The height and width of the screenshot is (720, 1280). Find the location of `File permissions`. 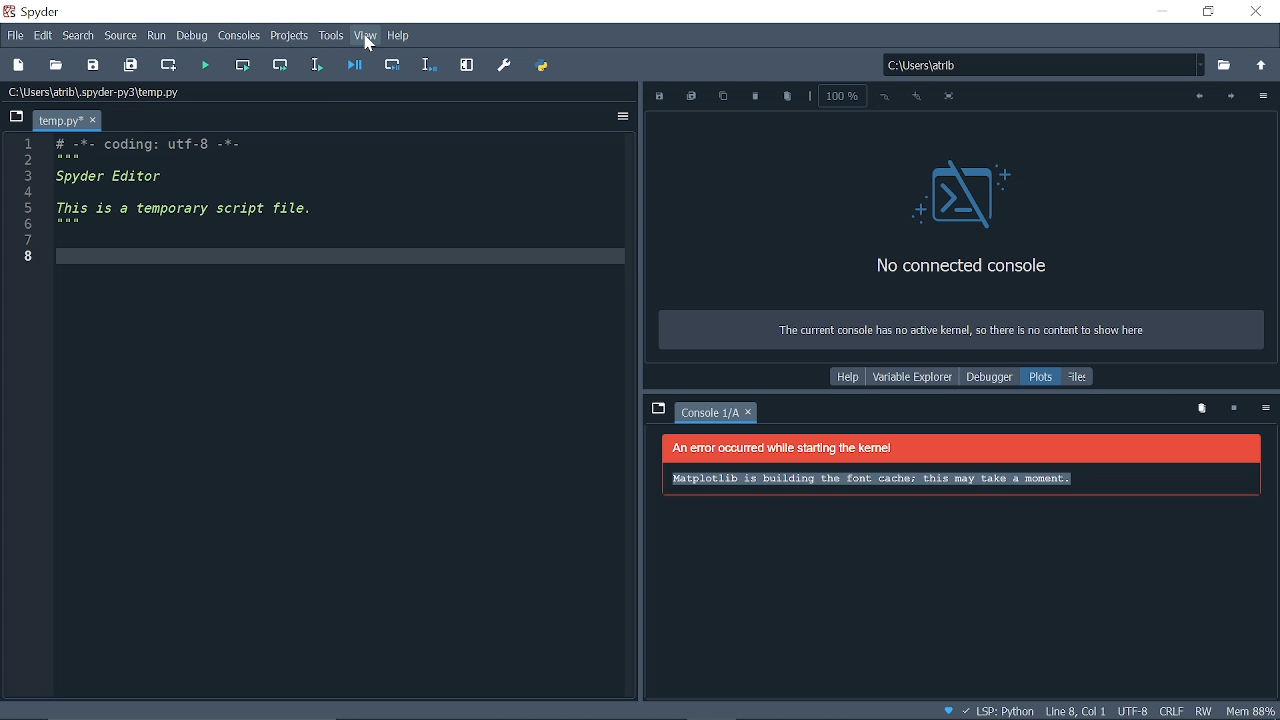

File permissions is located at coordinates (1205, 710).